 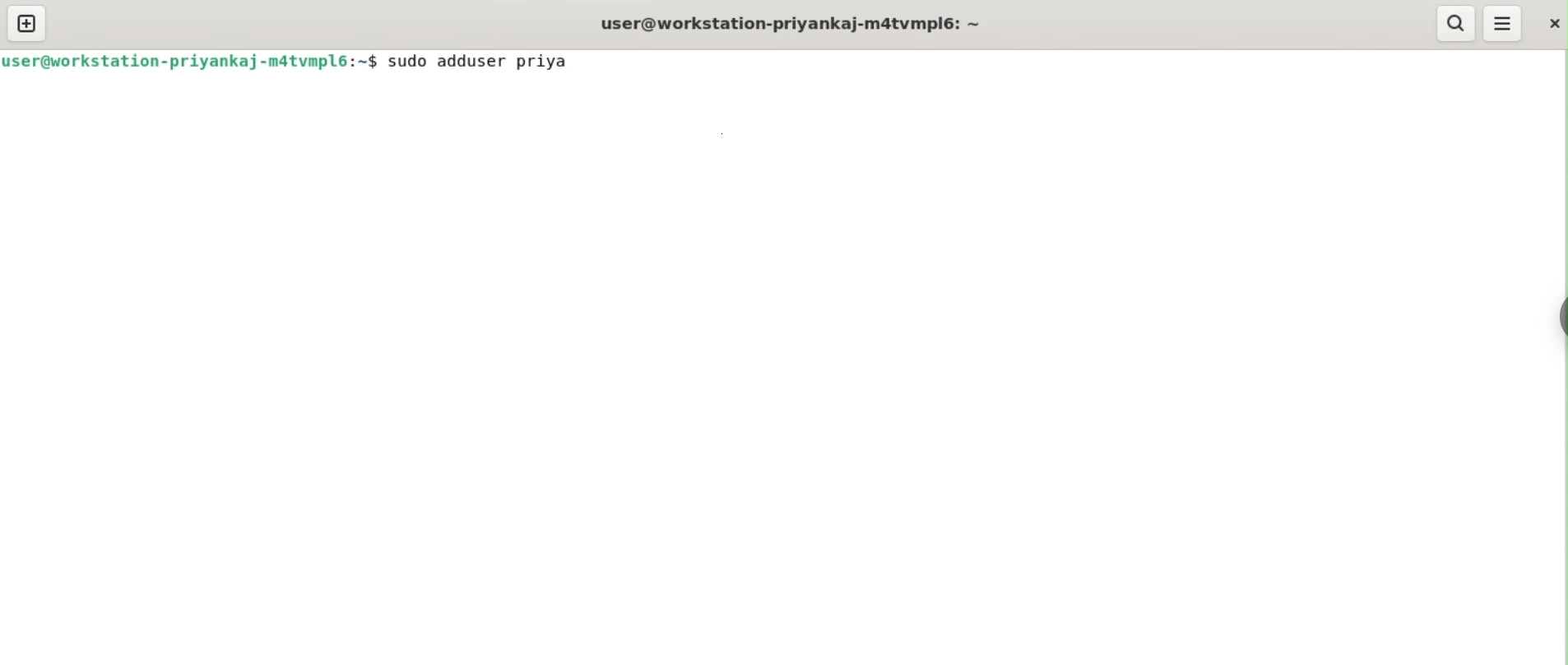 What do you see at coordinates (1457, 24) in the screenshot?
I see `search` at bounding box center [1457, 24].